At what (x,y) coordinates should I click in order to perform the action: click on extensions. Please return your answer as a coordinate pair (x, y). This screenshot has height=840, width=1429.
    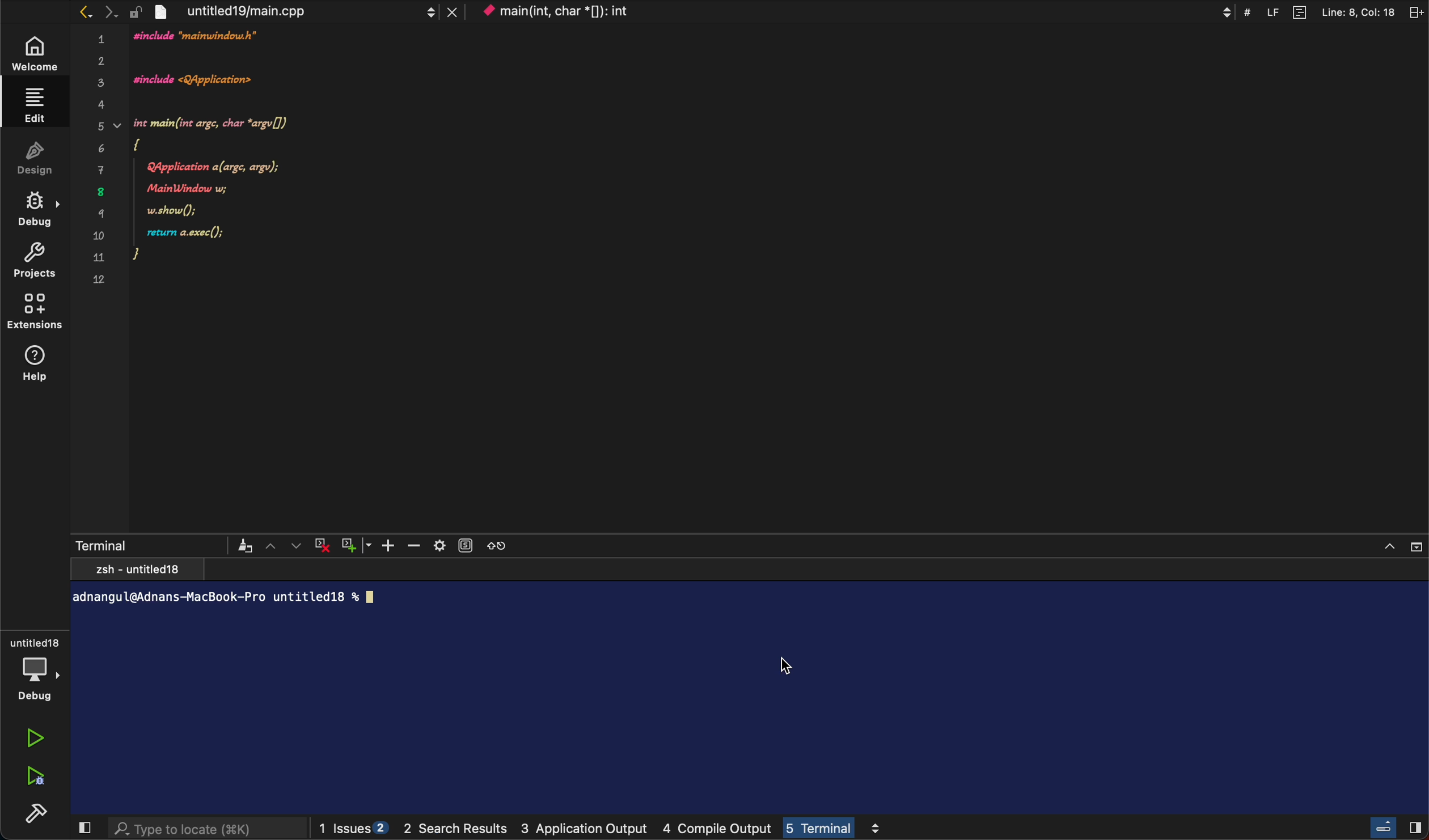
    Looking at the image, I should click on (33, 310).